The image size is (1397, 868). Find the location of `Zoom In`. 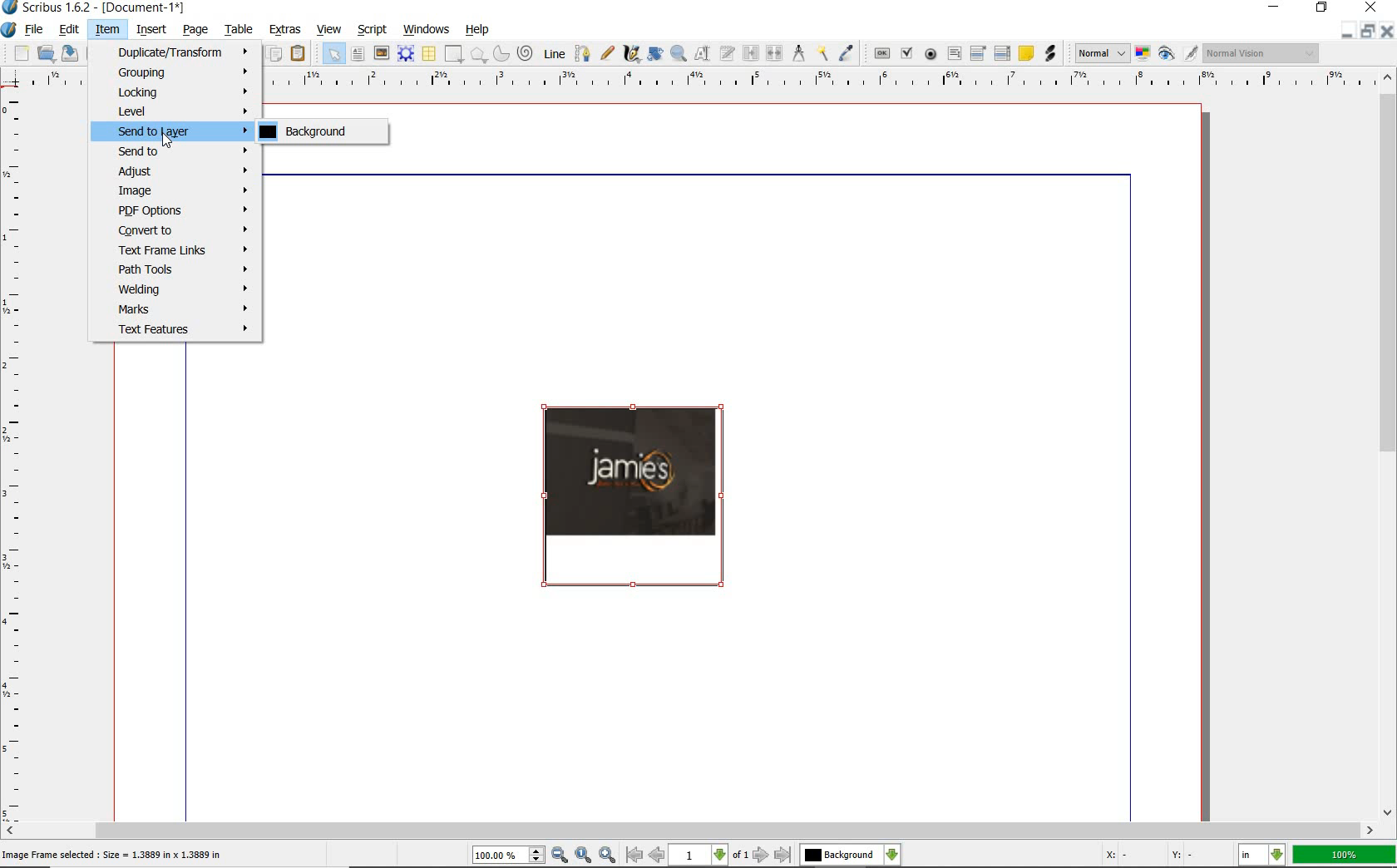

Zoom In is located at coordinates (608, 856).